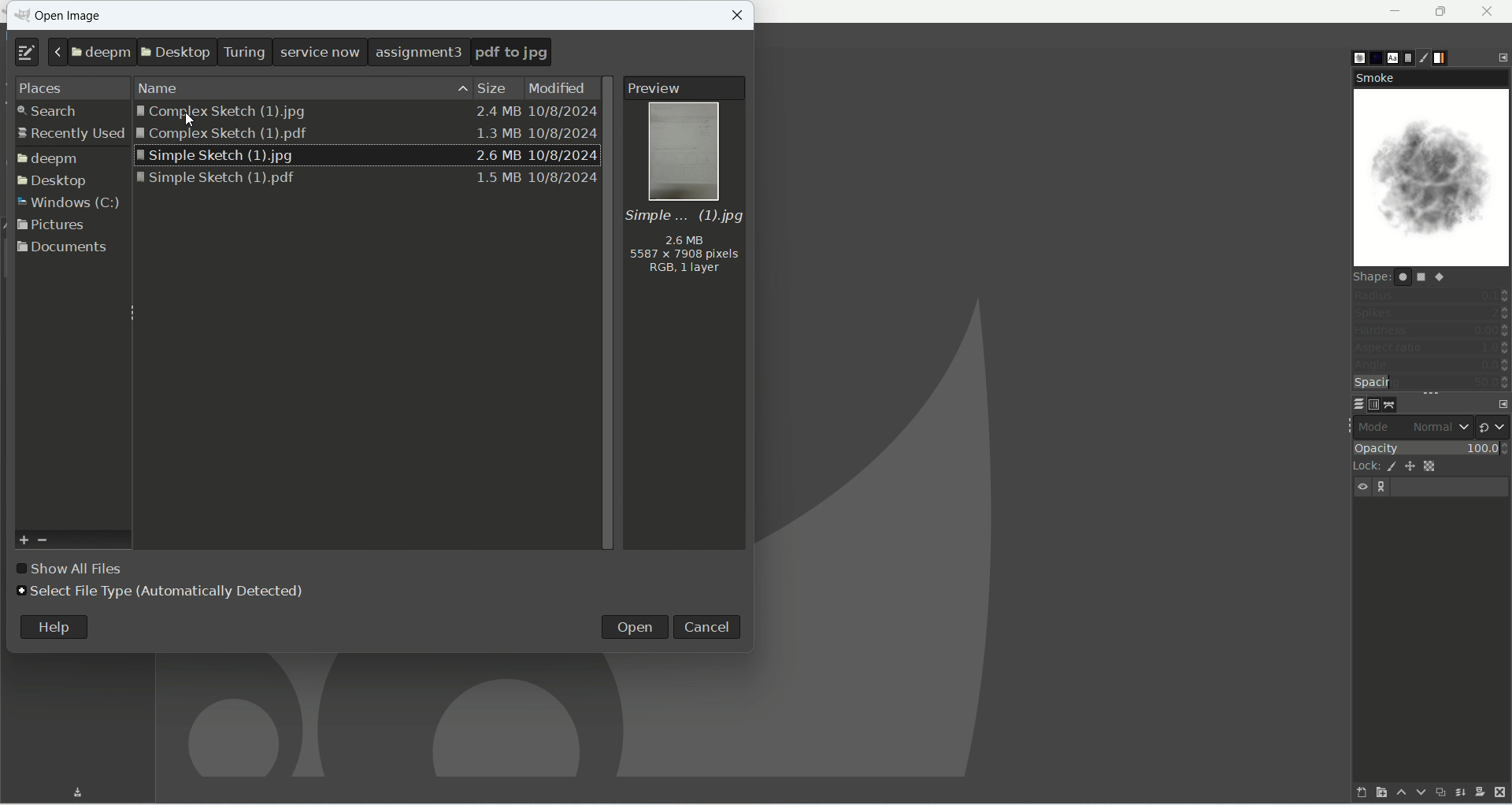 The width and height of the screenshot is (1512, 805). What do you see at coordinates (683, 247) in the screenshot?
I see `mage information` at bounding box center [683, 247].